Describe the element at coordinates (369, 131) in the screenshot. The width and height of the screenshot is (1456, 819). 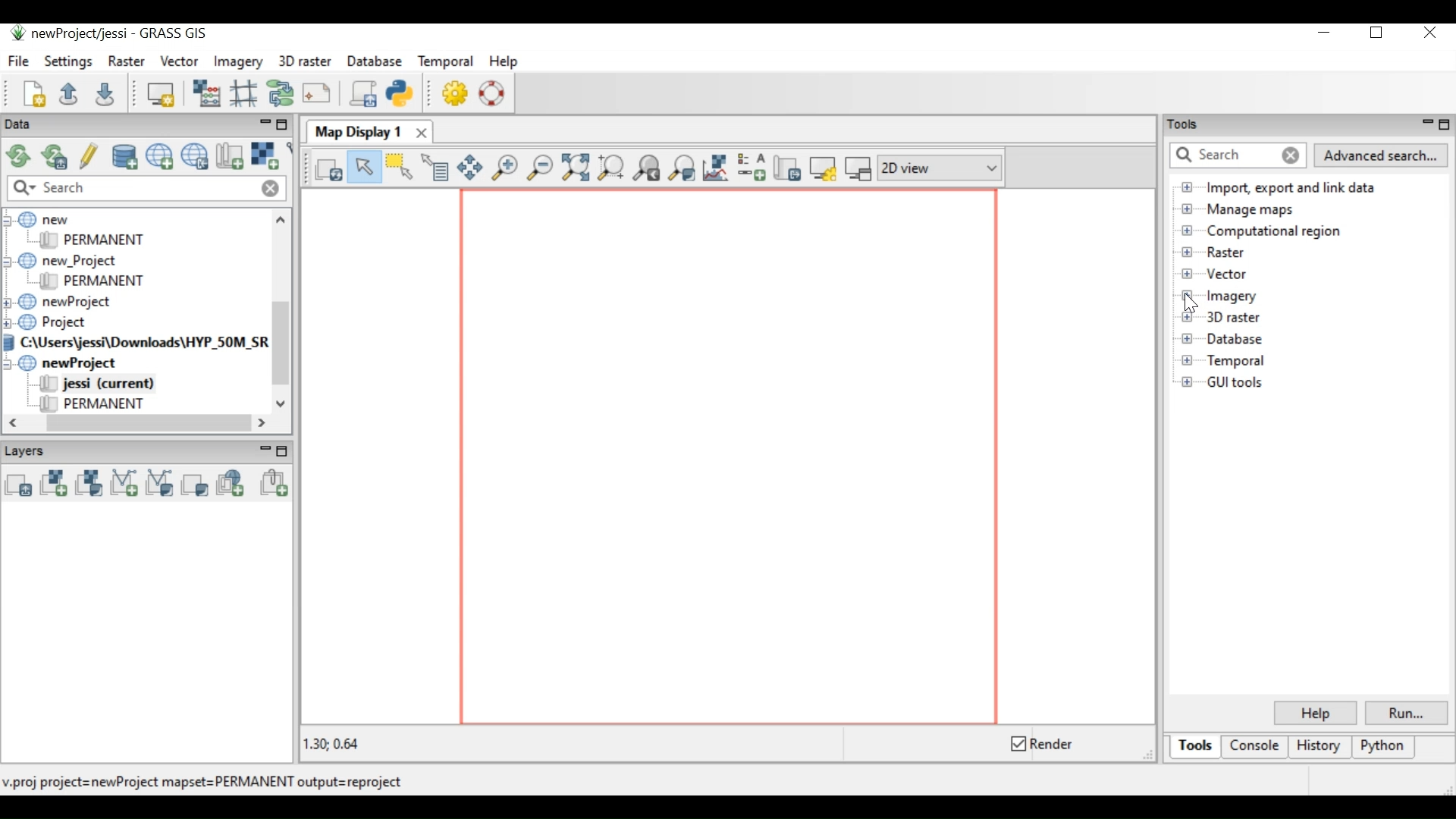
I see `Map Display` at that location.